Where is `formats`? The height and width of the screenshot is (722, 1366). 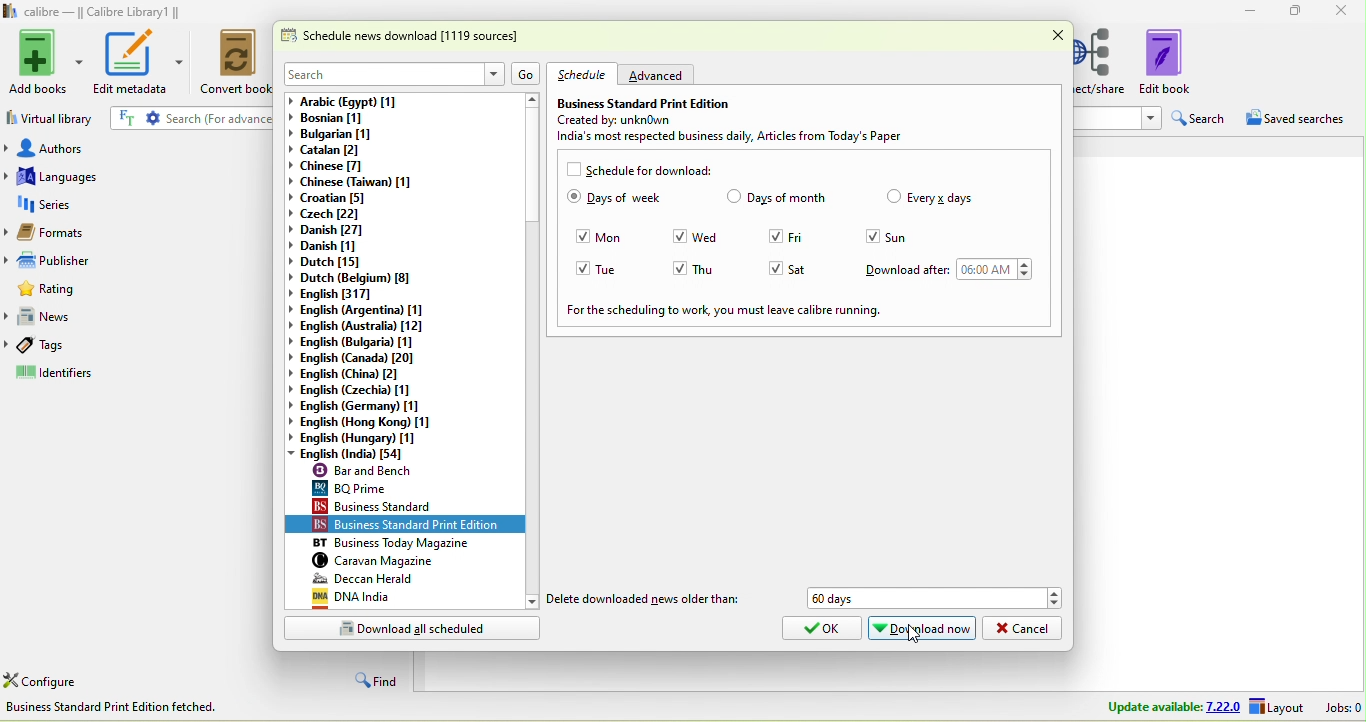
formats is located at coordinates (139, 233).